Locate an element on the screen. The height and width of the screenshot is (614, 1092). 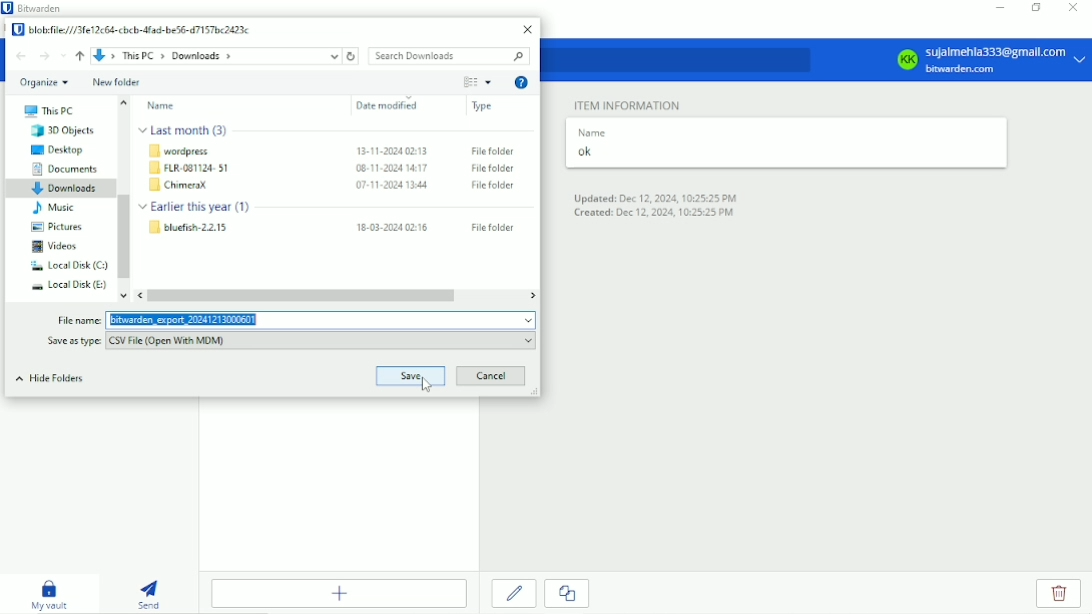
Search downloads is located at coordinates (450, 56).